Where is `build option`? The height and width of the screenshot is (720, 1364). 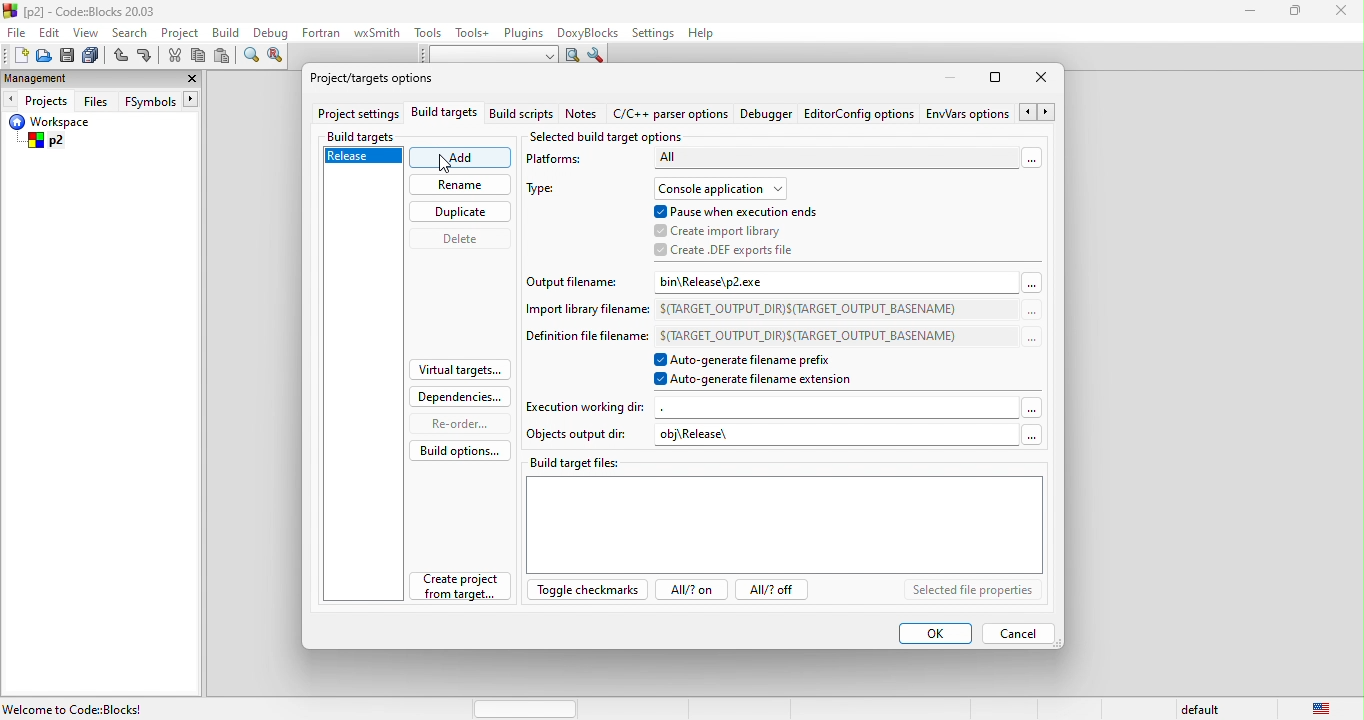 build option is located at coordinates (454, 449).